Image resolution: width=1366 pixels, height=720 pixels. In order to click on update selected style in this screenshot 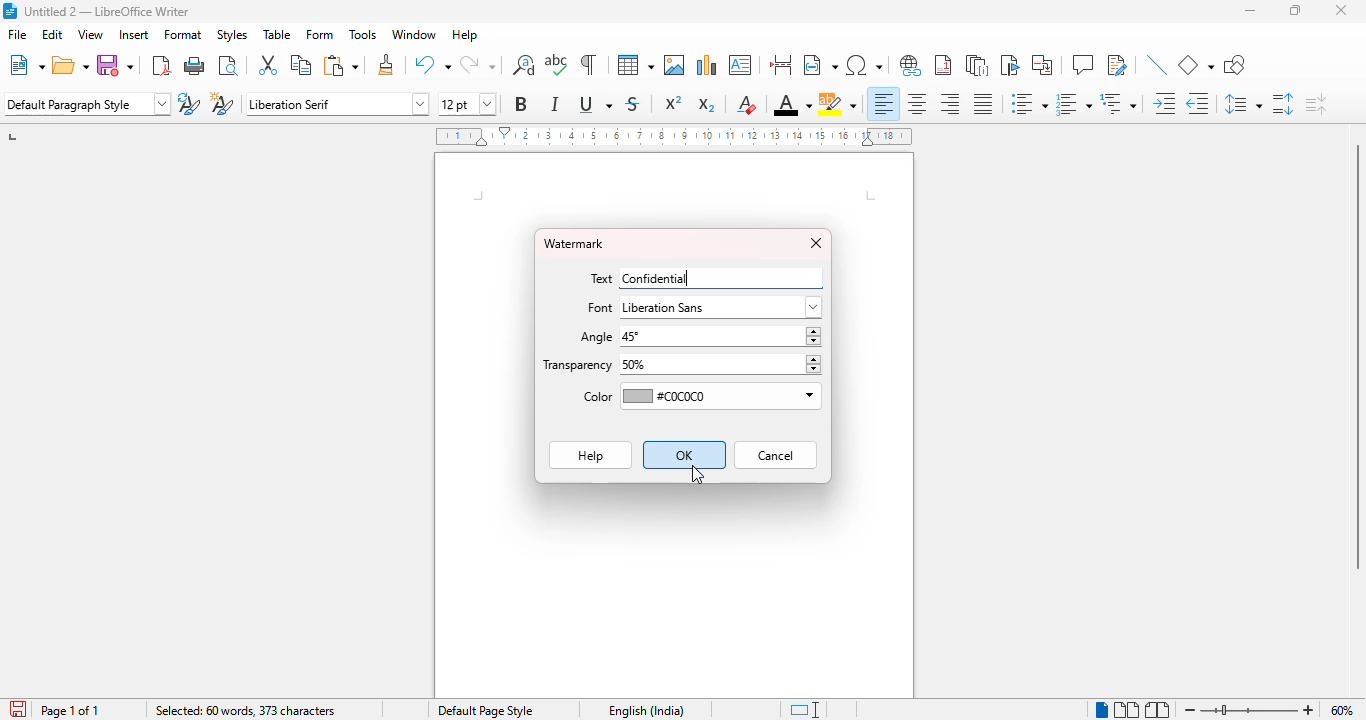, I will do `click(188, 103)`.